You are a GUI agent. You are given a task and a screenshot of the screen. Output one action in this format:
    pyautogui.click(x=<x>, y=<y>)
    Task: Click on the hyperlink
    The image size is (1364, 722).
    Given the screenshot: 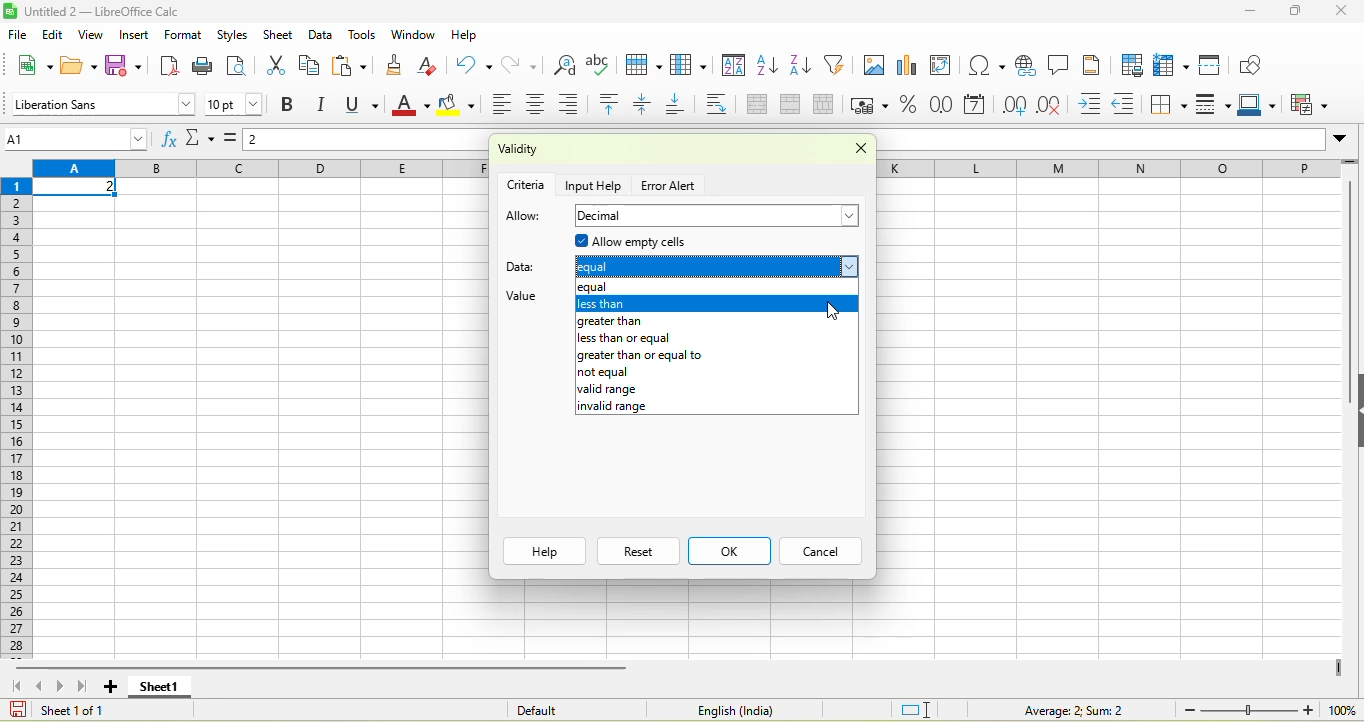 What is the action you would take?
    pyautogui.click(x=1025, y=65)
    